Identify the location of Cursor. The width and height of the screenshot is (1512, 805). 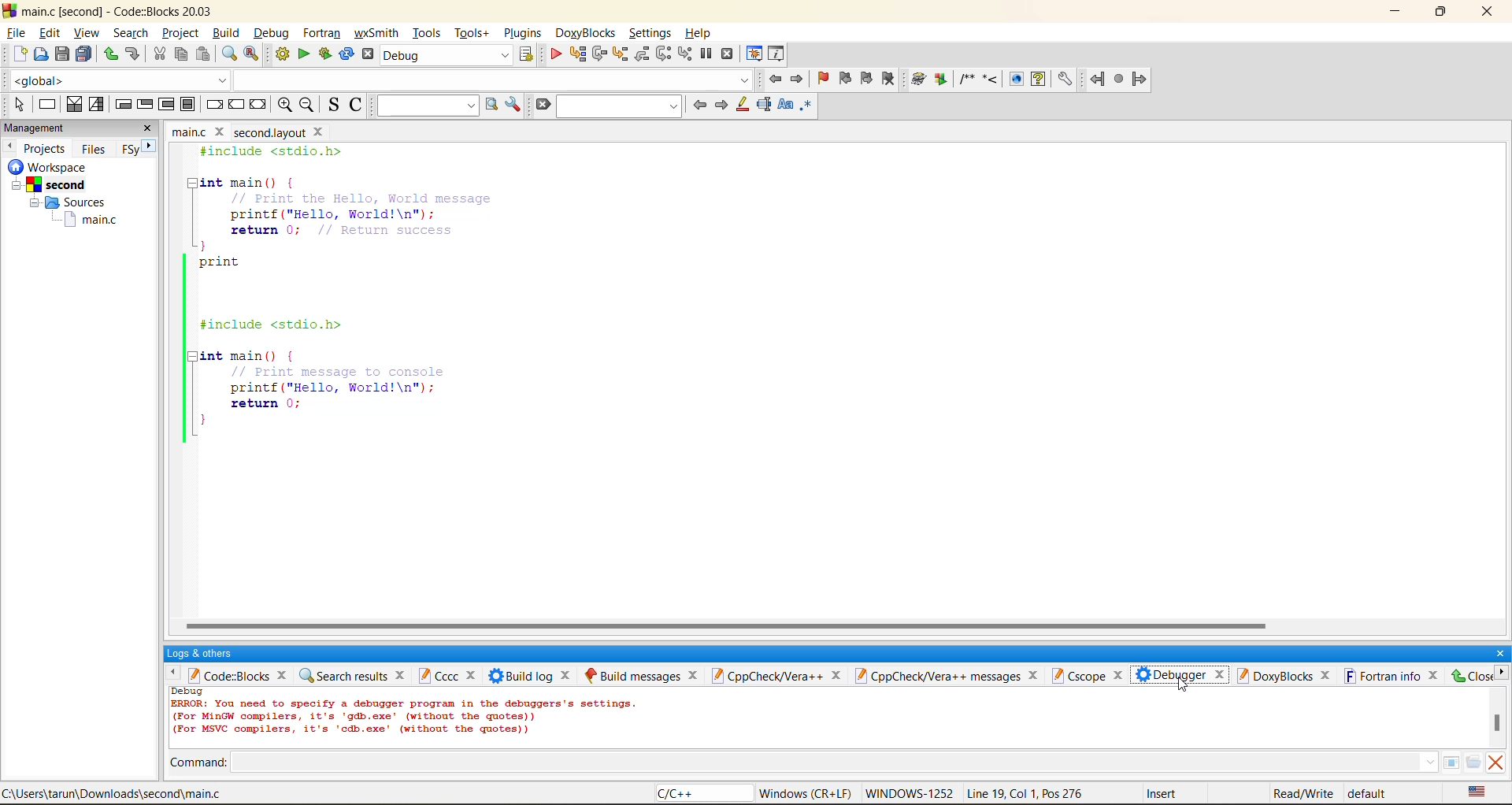
(1185, 687).